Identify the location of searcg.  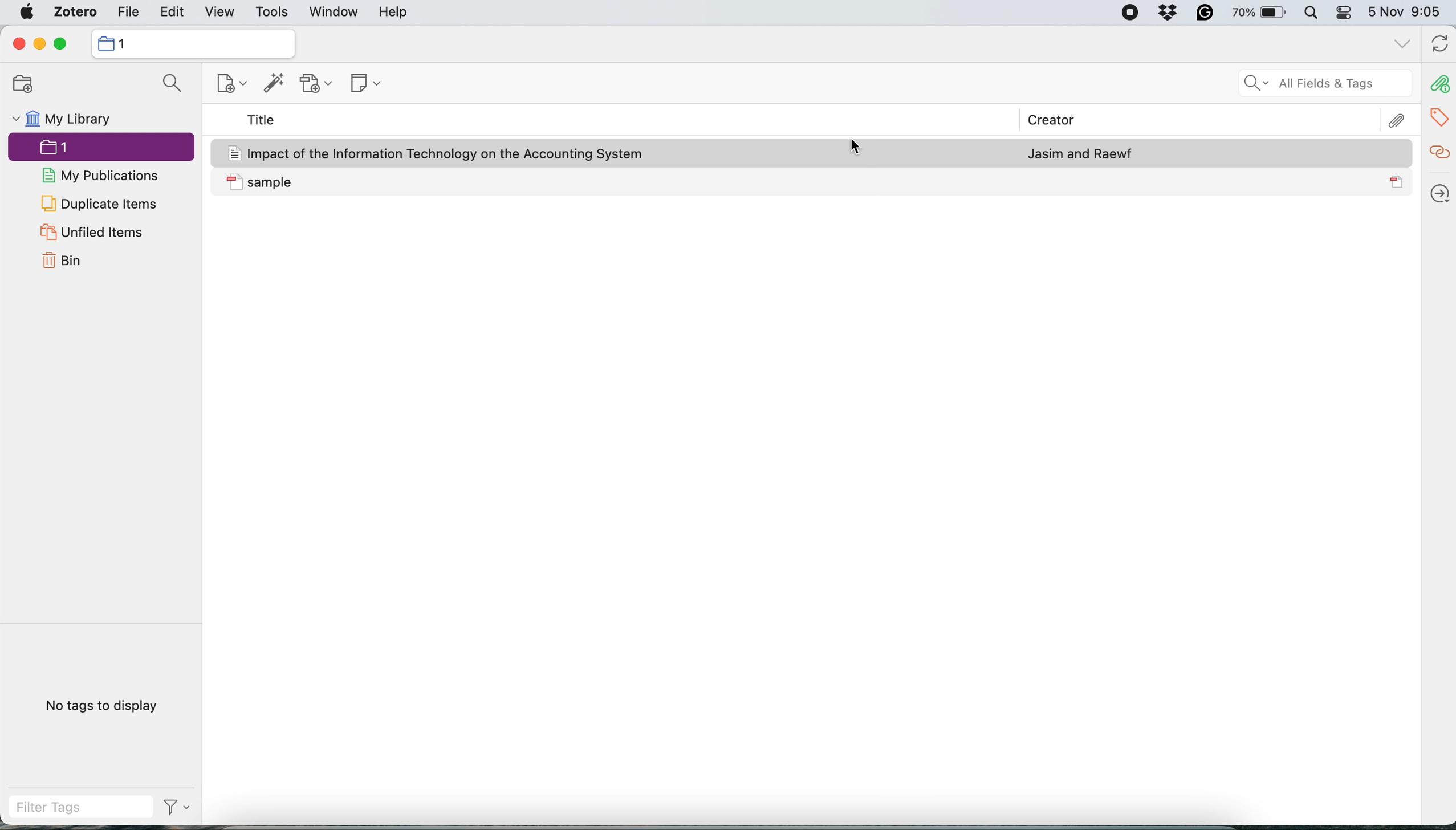
(168, 86).